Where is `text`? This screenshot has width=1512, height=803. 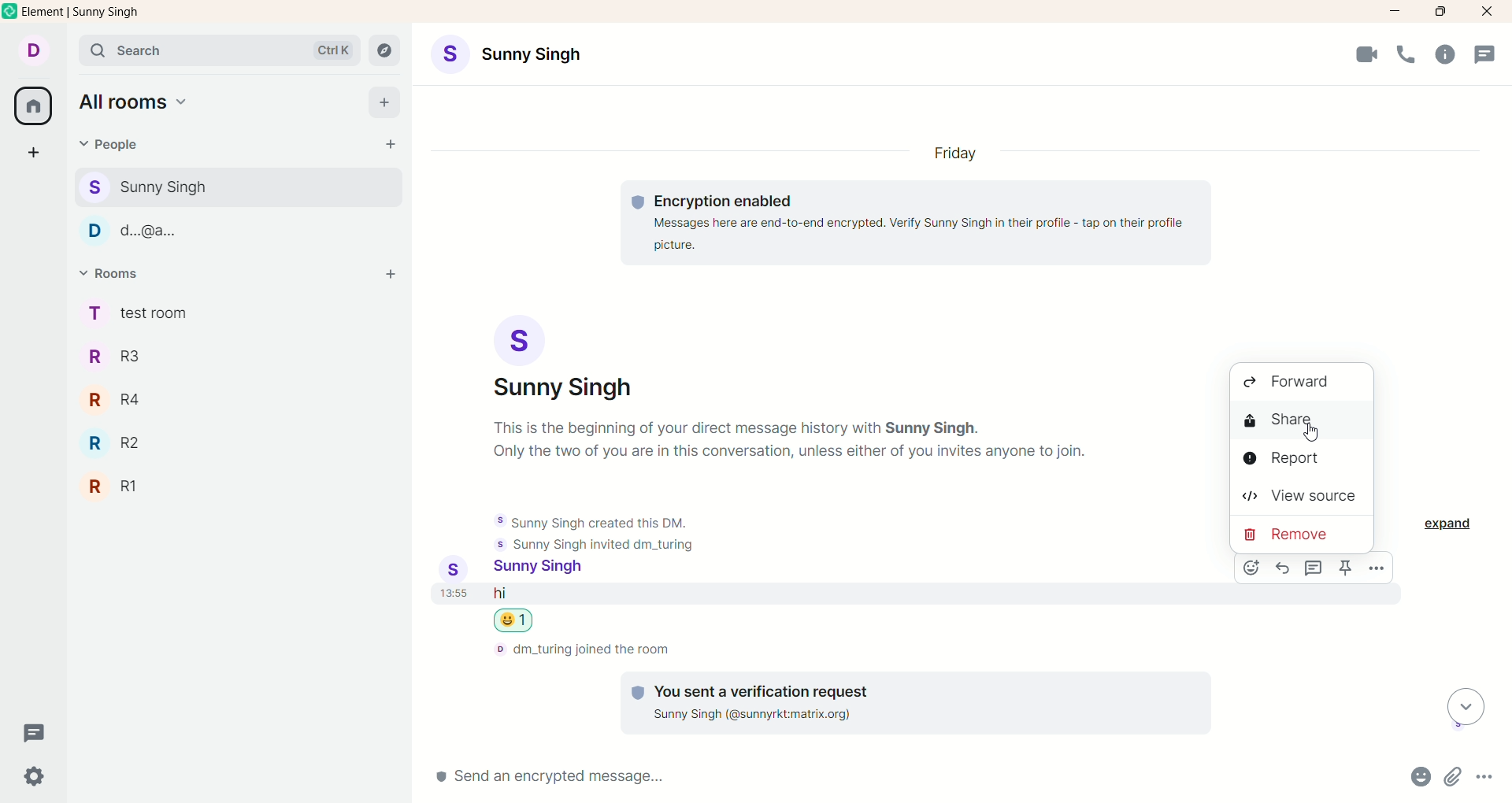
text is located at coordinates (916, 220).